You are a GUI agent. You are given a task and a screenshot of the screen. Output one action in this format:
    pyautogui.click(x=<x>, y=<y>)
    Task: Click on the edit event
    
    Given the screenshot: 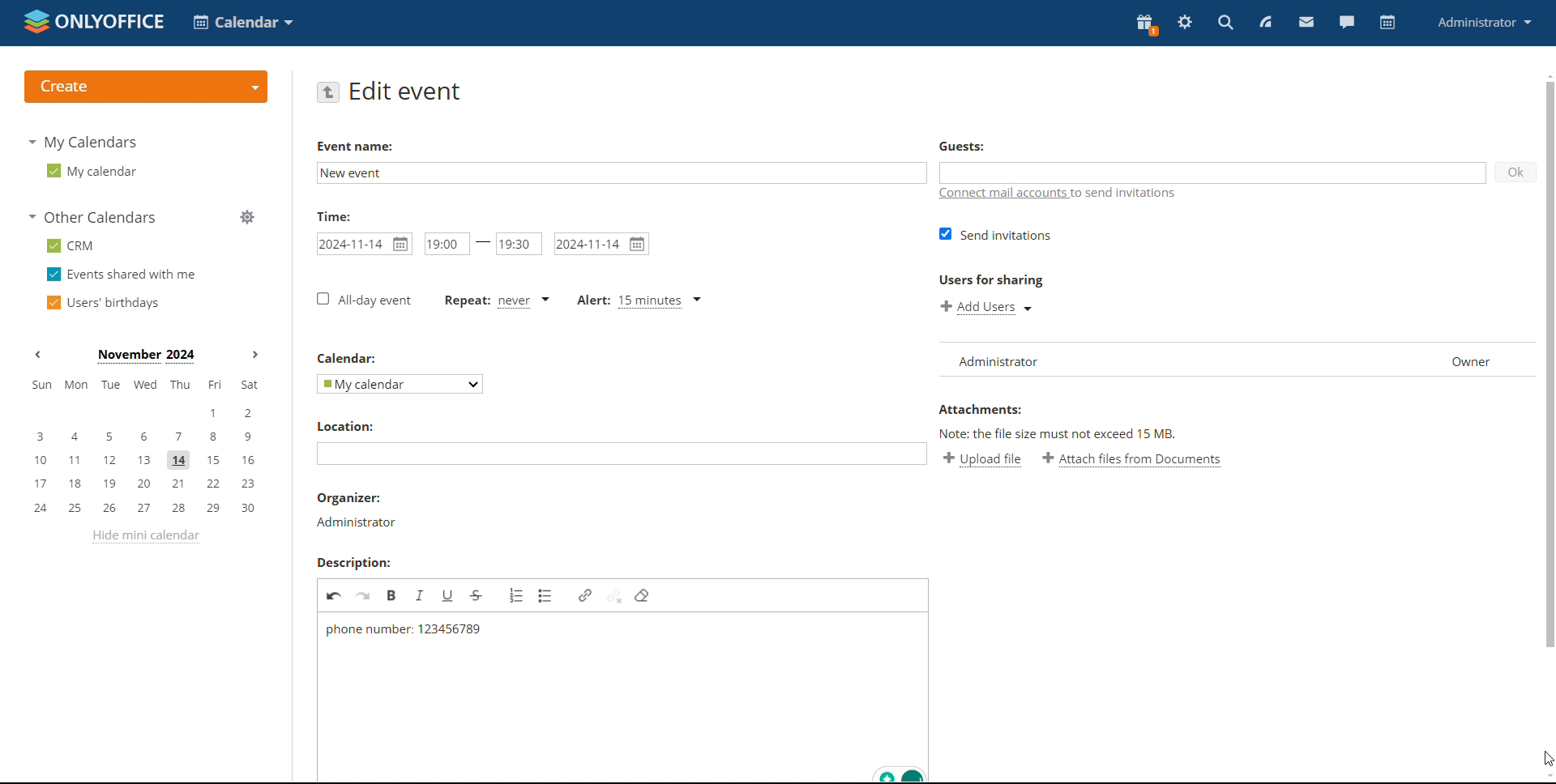 What is the action you would take?
    pyautogui.click(x=407, y=92)
    